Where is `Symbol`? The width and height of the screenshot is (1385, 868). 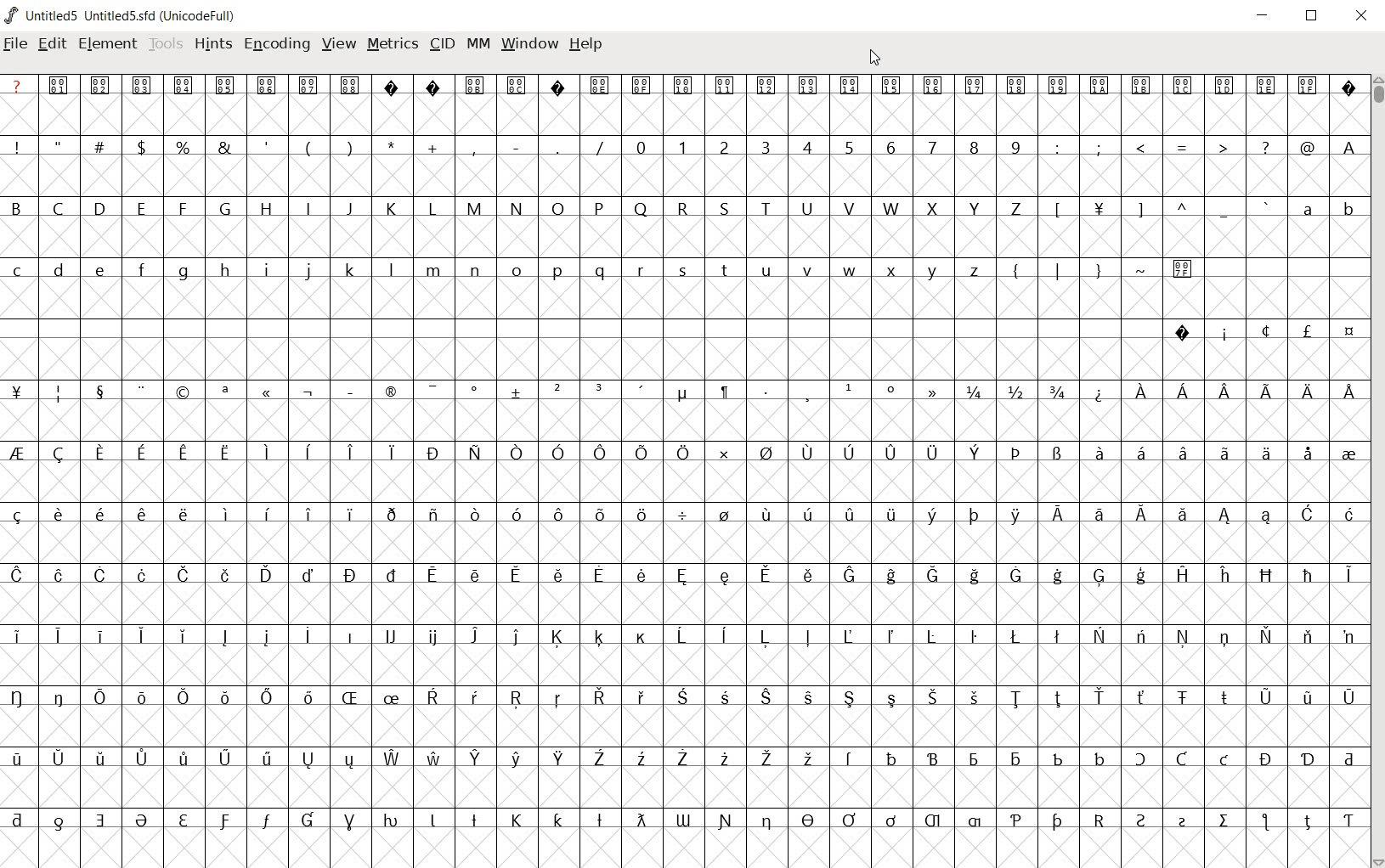
Symbol is located at coordinates (100, 820).